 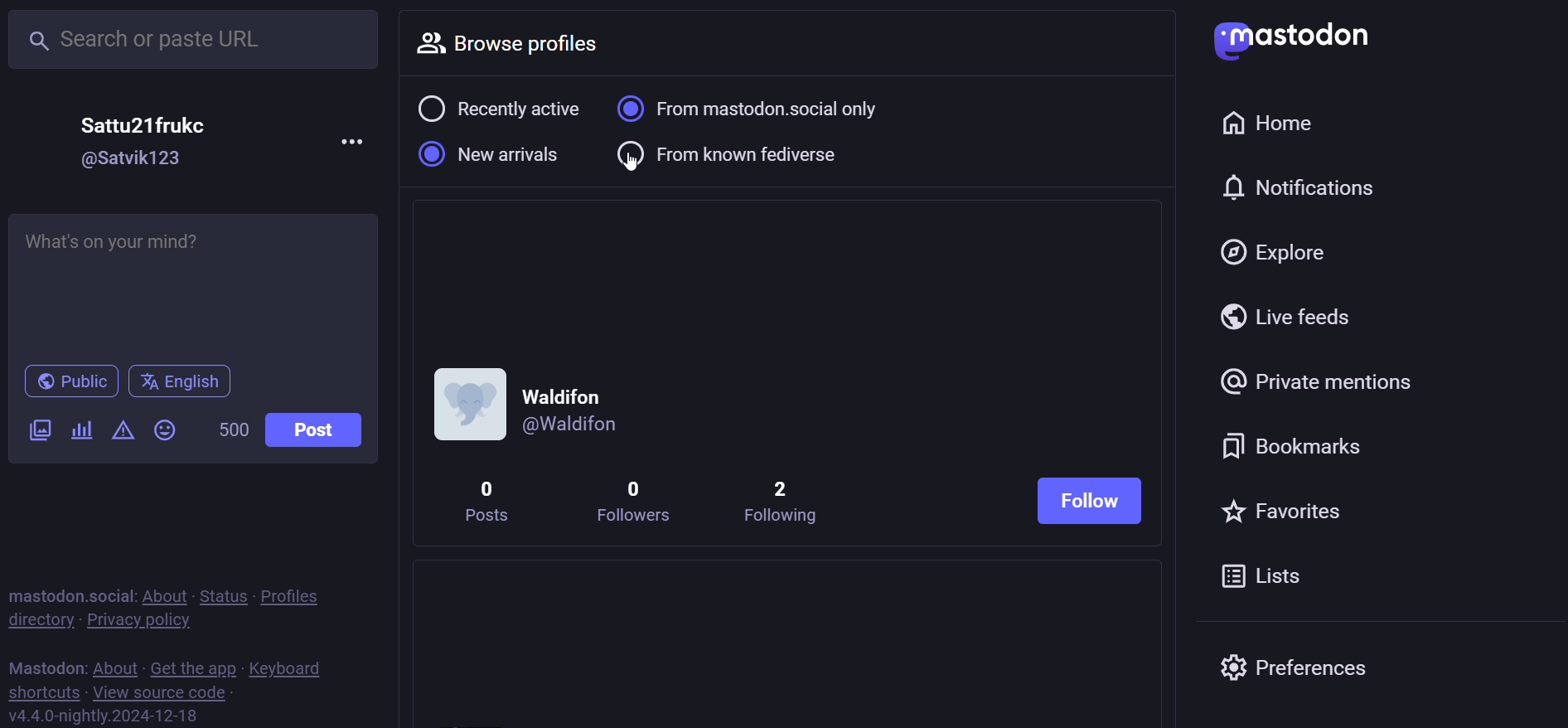 I want to click on emoji, so click(x=163, y=431).